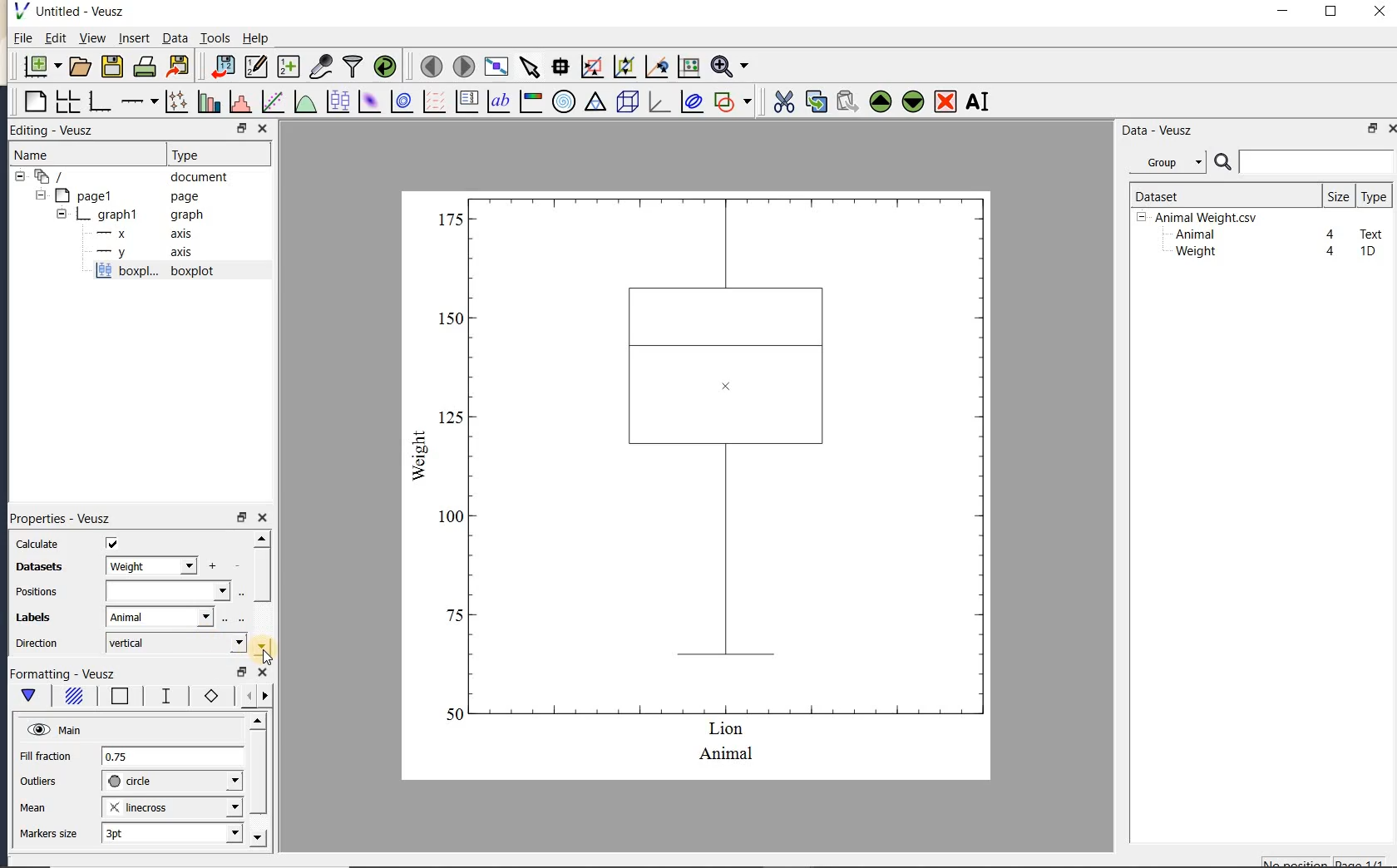 Image resolution: width=1397 pixels, height=868 pixels. I want to click on Fill fraction, so click(46, 757).